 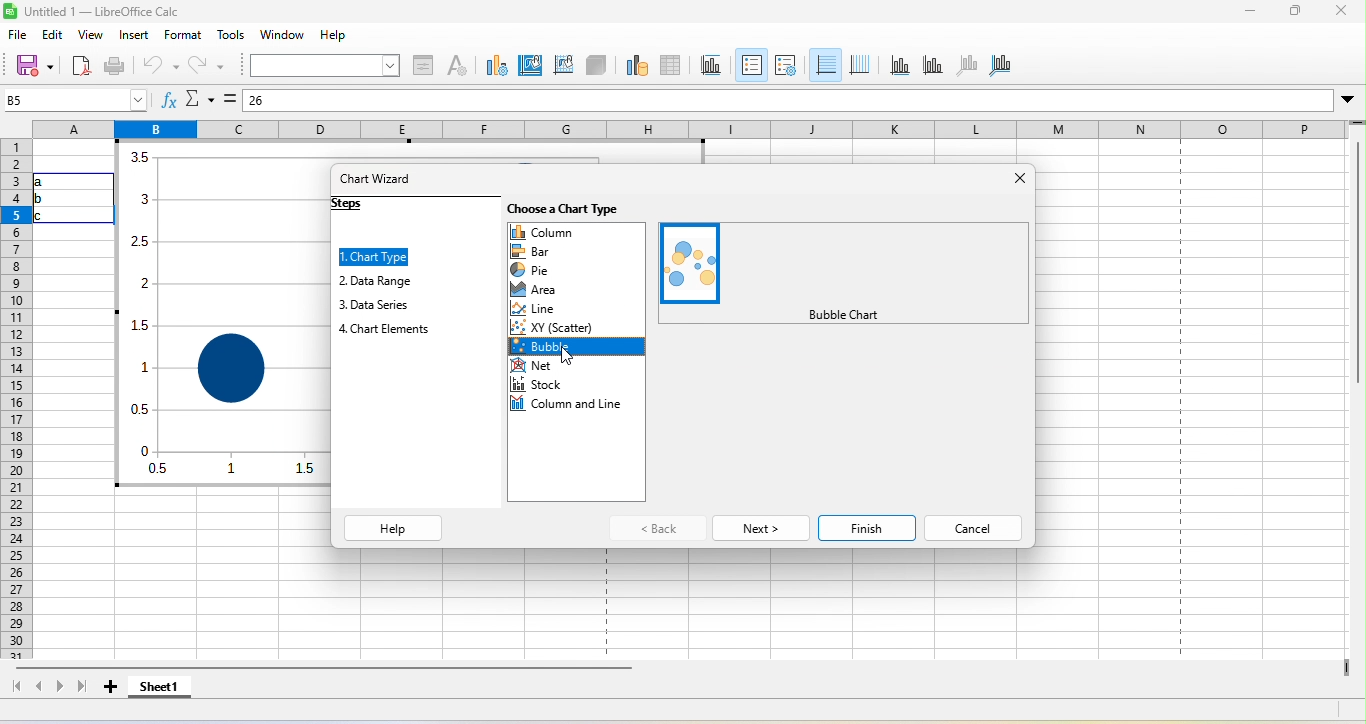 I want to click on sheet 1, so click(x=161, y=690).